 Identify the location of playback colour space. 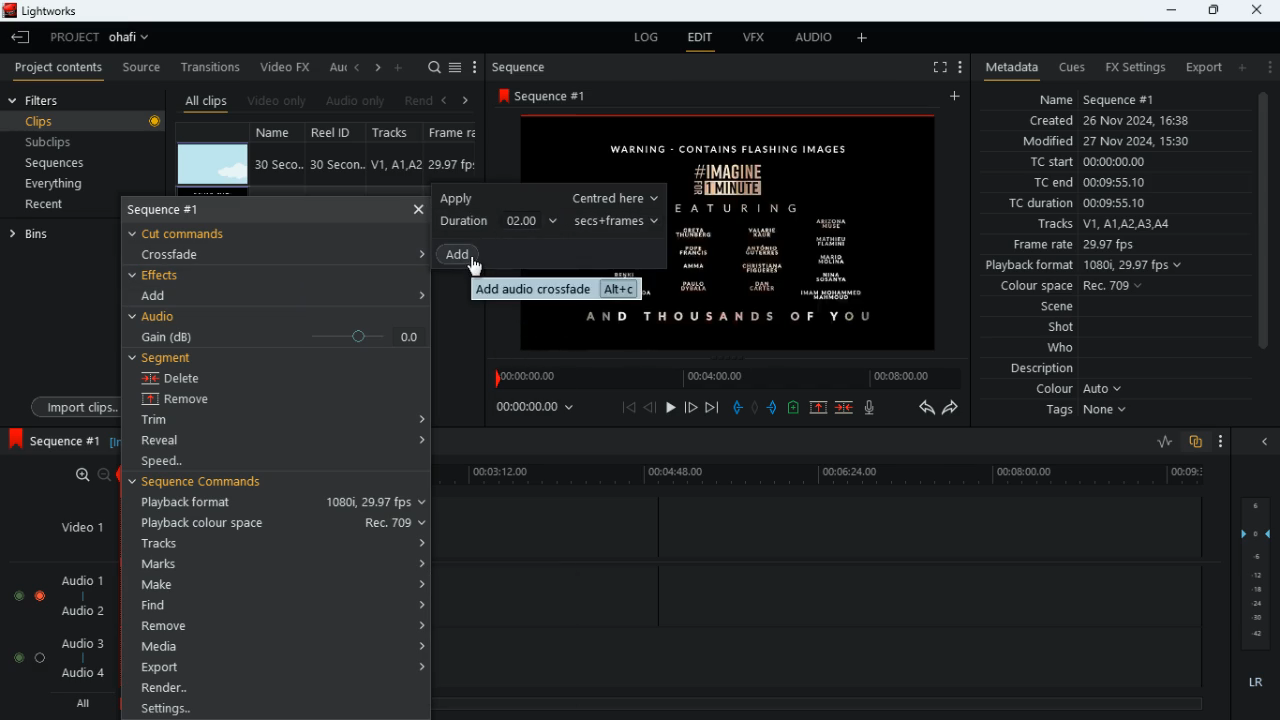
(282, 523).